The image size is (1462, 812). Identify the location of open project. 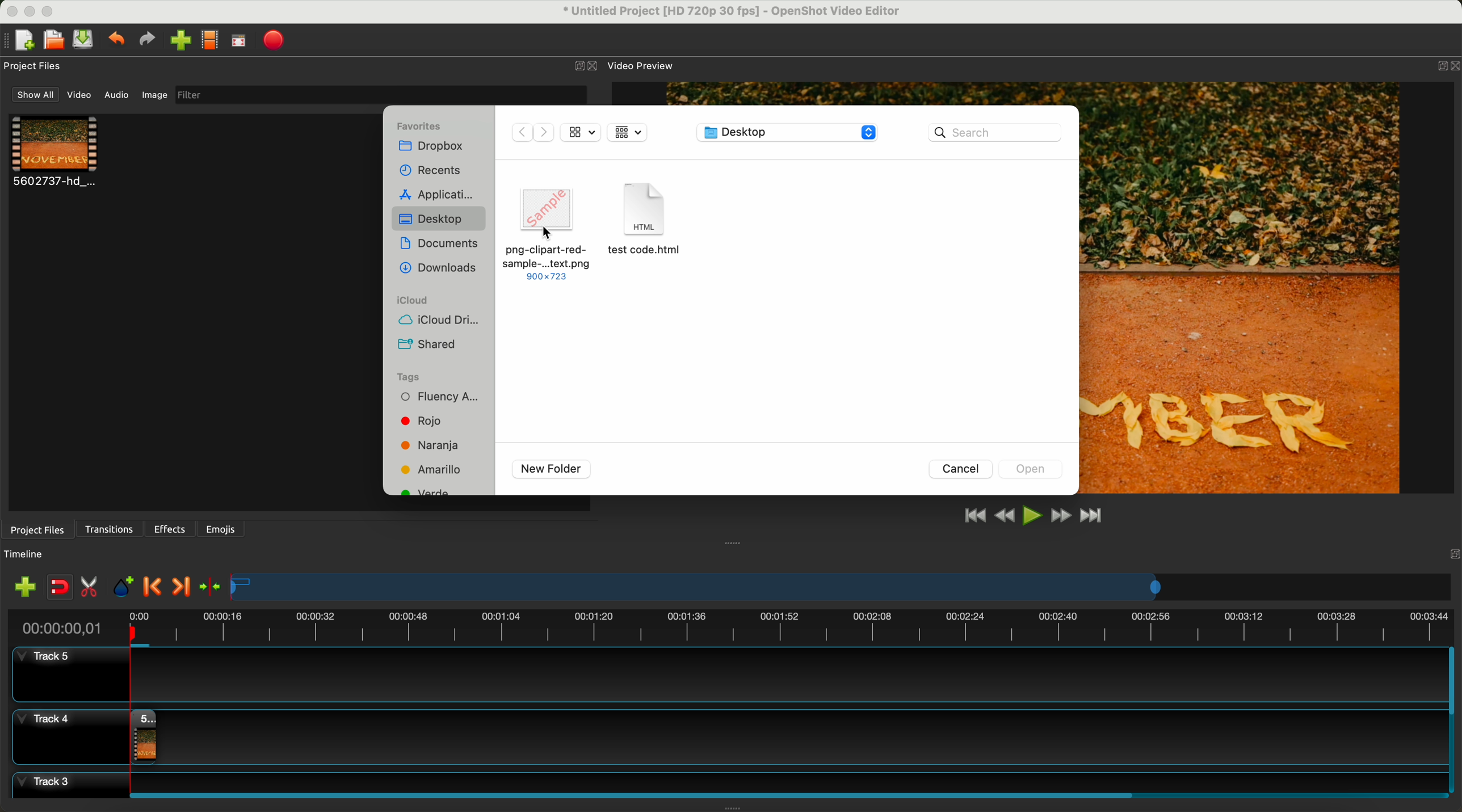
(53, 41).